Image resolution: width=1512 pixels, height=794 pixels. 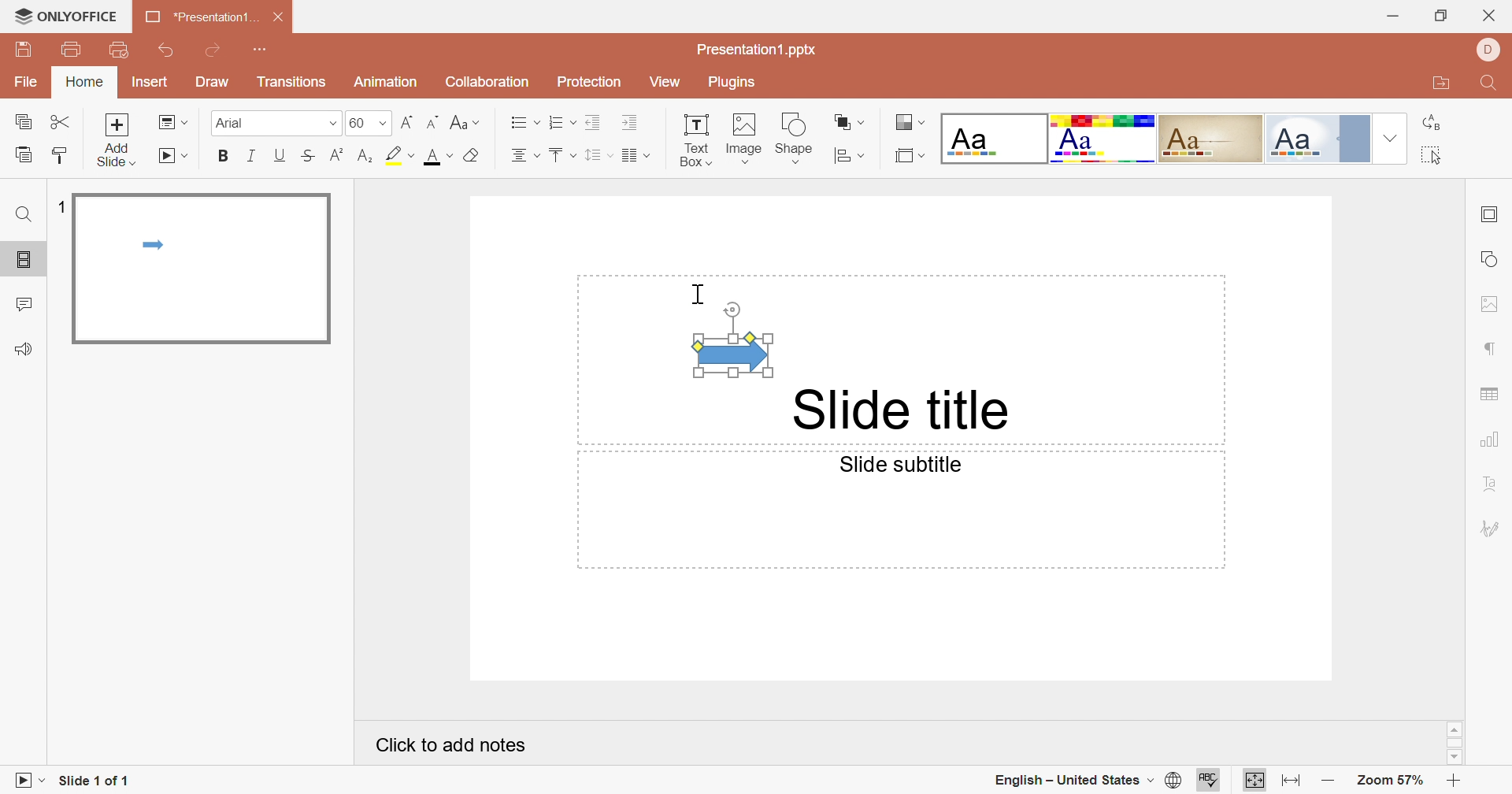 I want to click on Shape, so click(x=794, y=141).